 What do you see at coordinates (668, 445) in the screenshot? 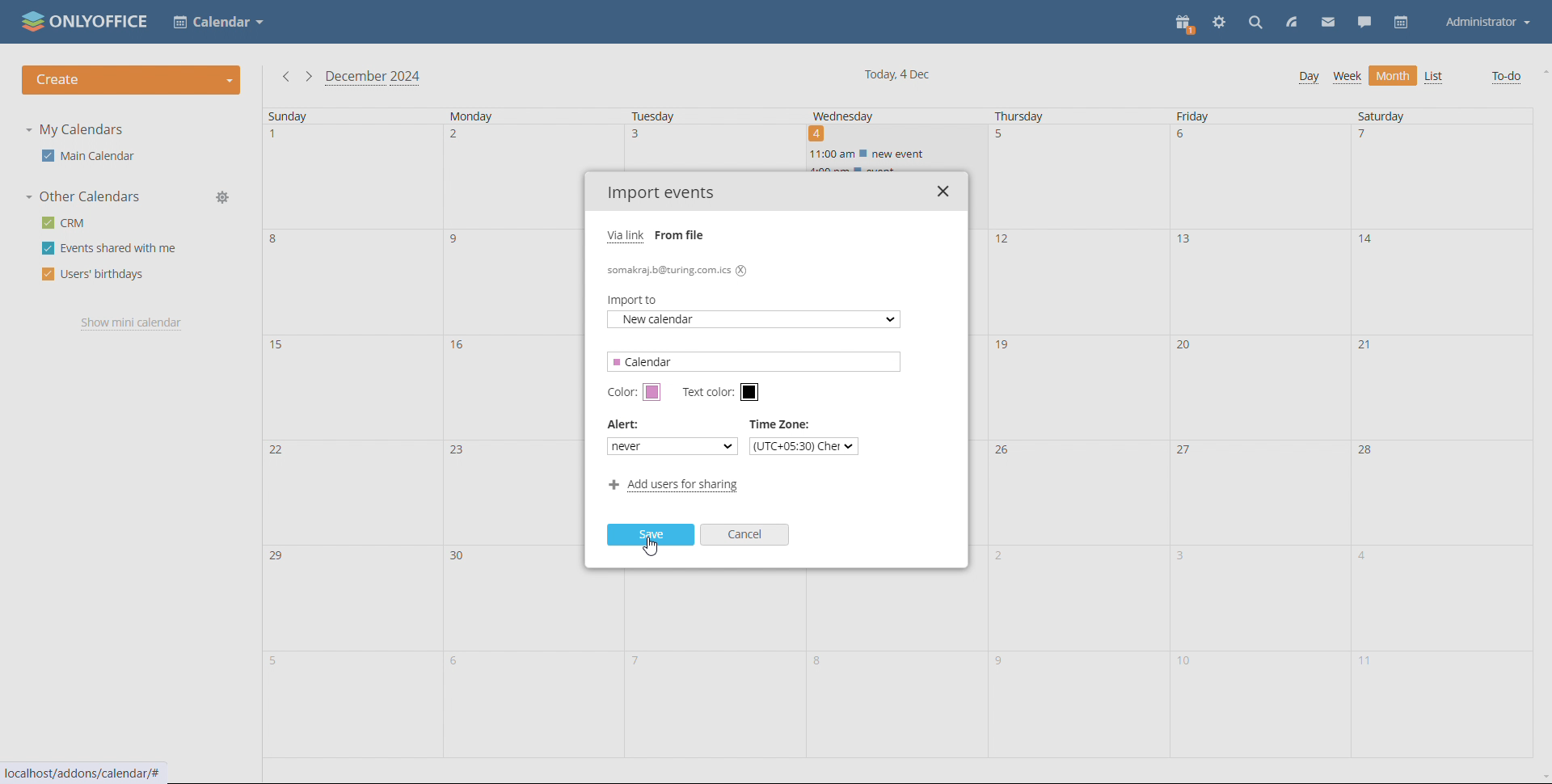
I see `alert type` at bounding box center [668, 445].